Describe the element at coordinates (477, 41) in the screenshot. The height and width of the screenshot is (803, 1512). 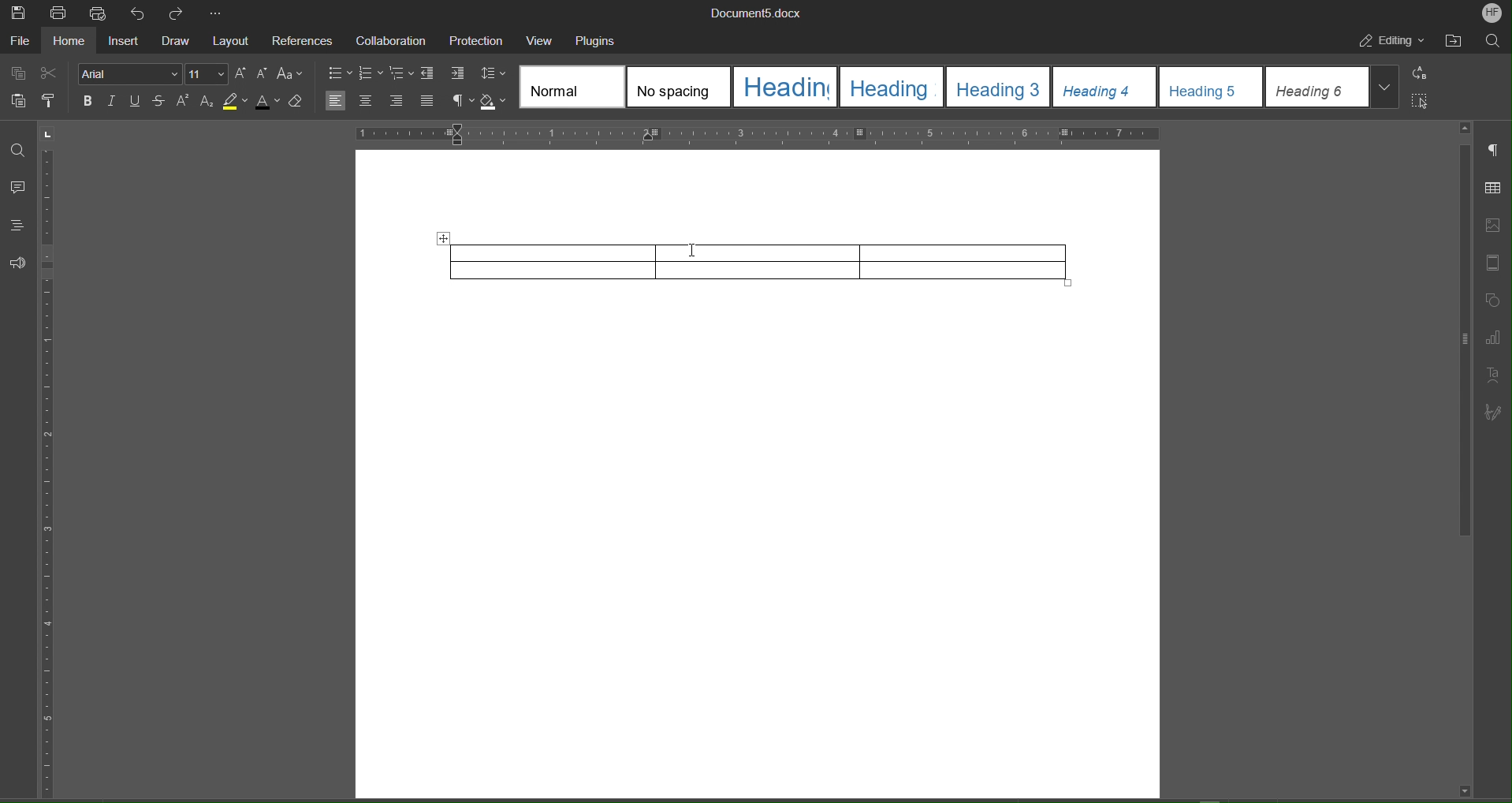
I see `Protection` at that location.